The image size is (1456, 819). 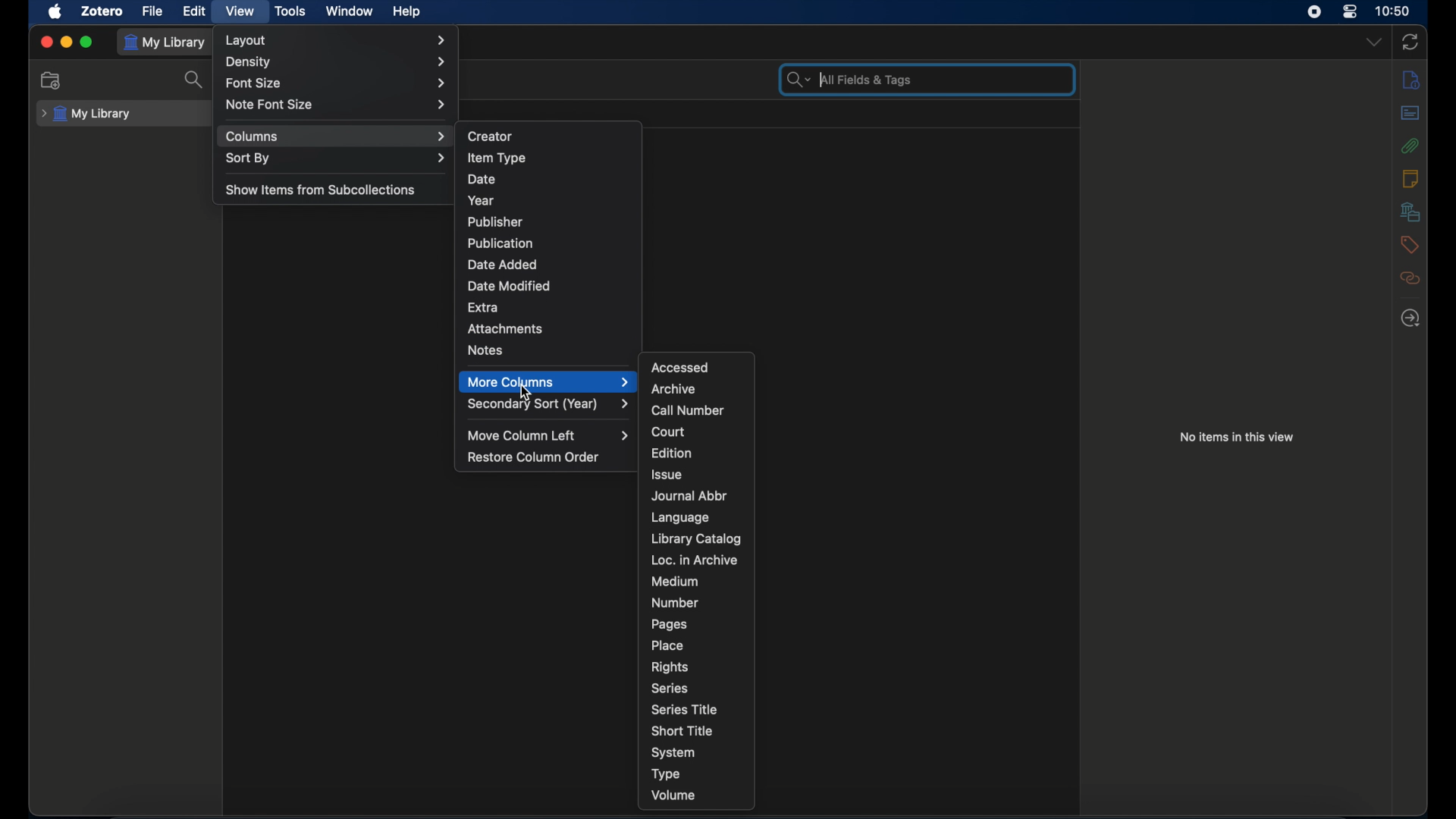 What do you see at coordinates (534, 457) in the screenshot?
I see `restore column order` at bounding box center [534, 457].